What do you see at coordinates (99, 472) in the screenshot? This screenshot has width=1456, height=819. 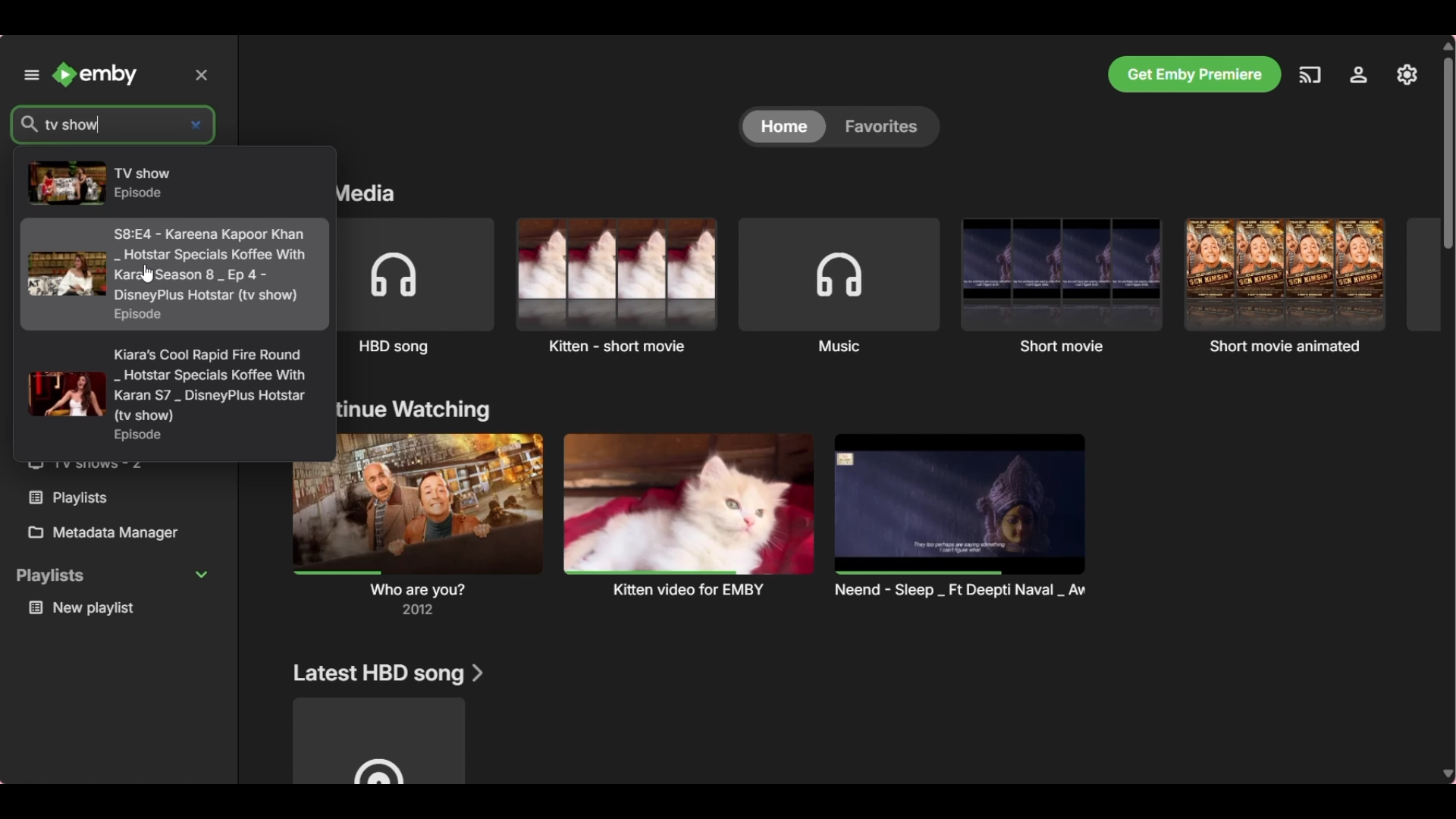 I see `` at bounding box center [99, 472].